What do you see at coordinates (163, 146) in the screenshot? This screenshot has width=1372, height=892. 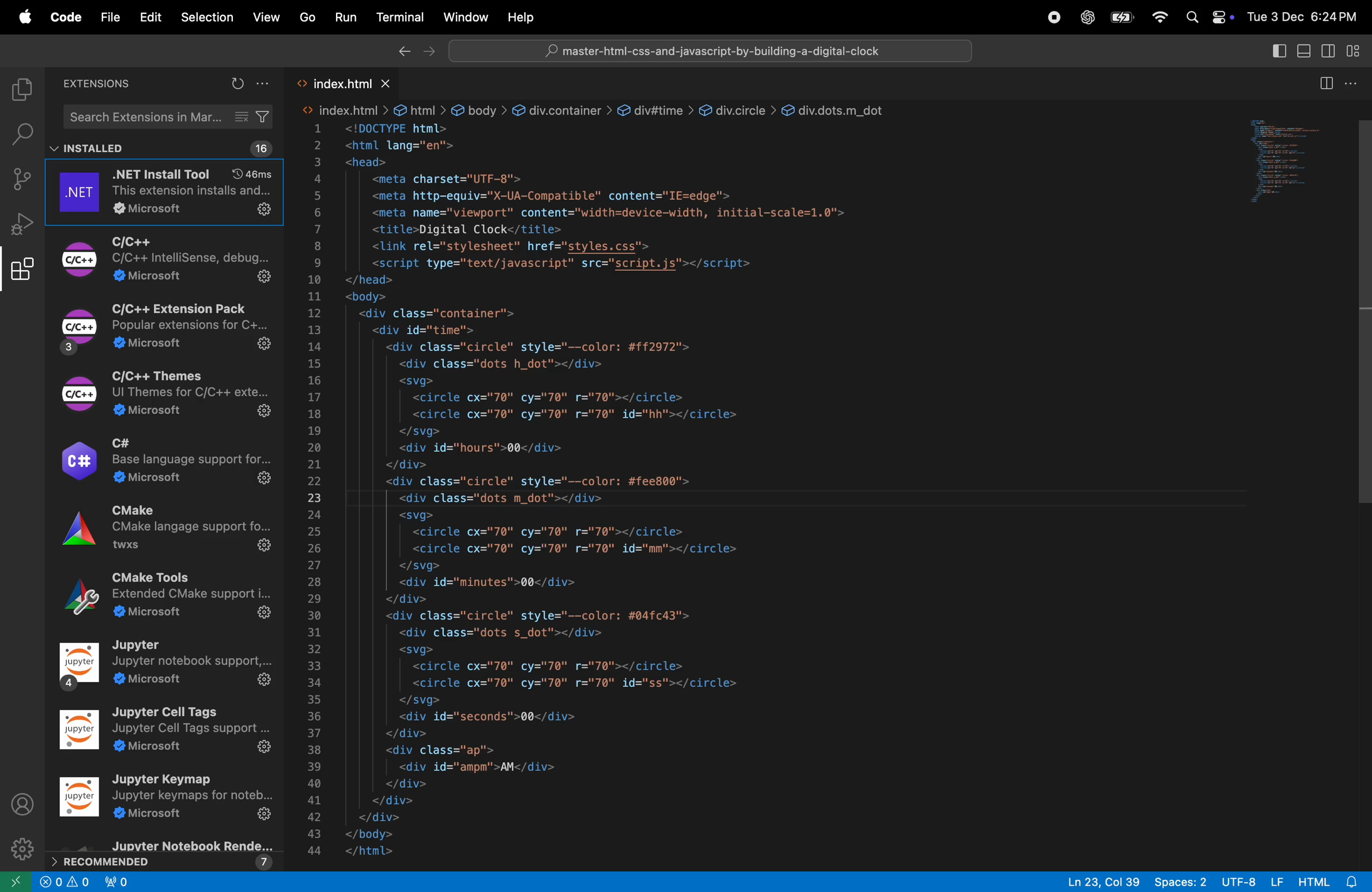 I see `installed` at bounding box center [163, 146].